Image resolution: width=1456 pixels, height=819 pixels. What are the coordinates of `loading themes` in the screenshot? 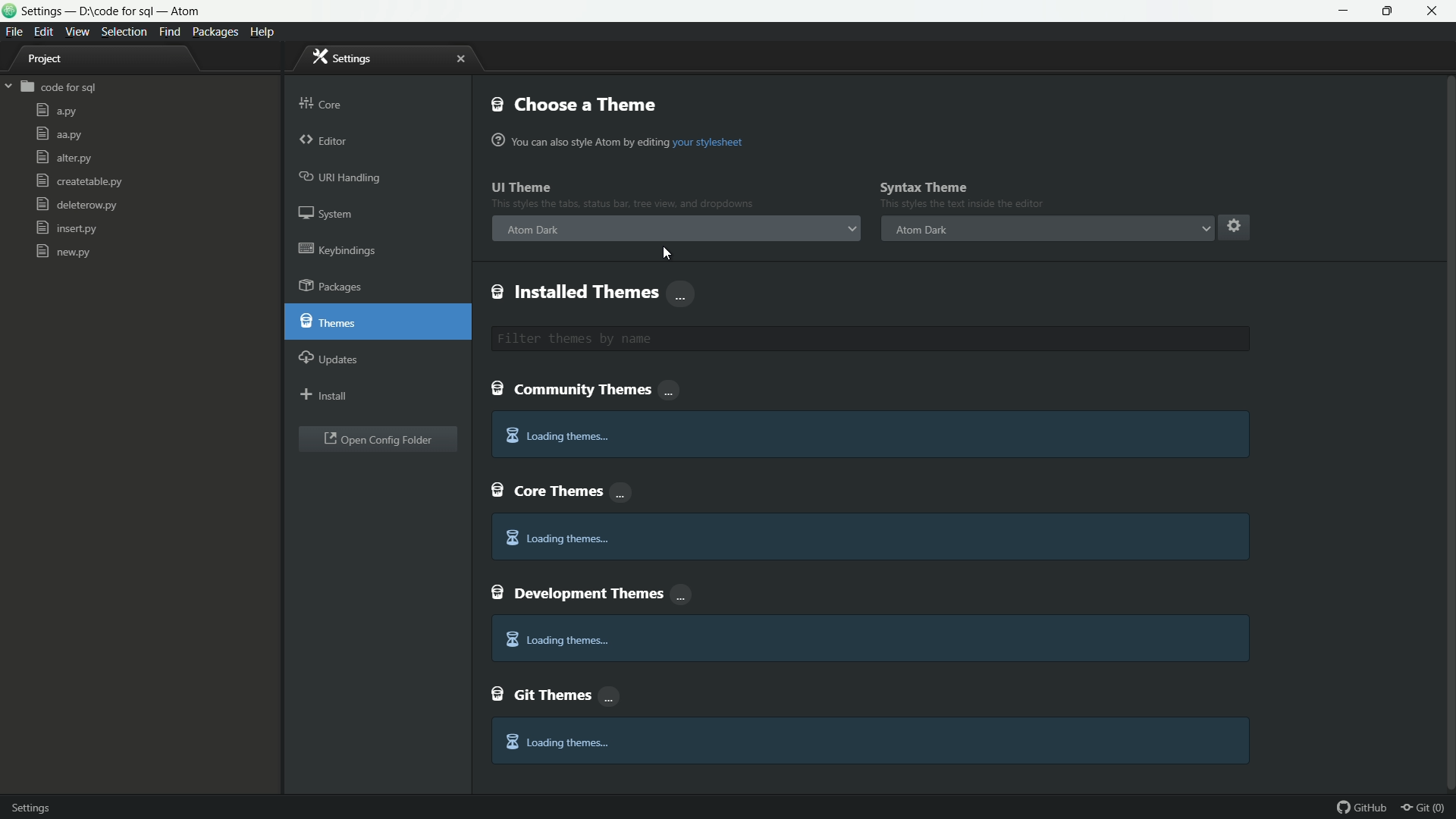 It's located at (556, 641).